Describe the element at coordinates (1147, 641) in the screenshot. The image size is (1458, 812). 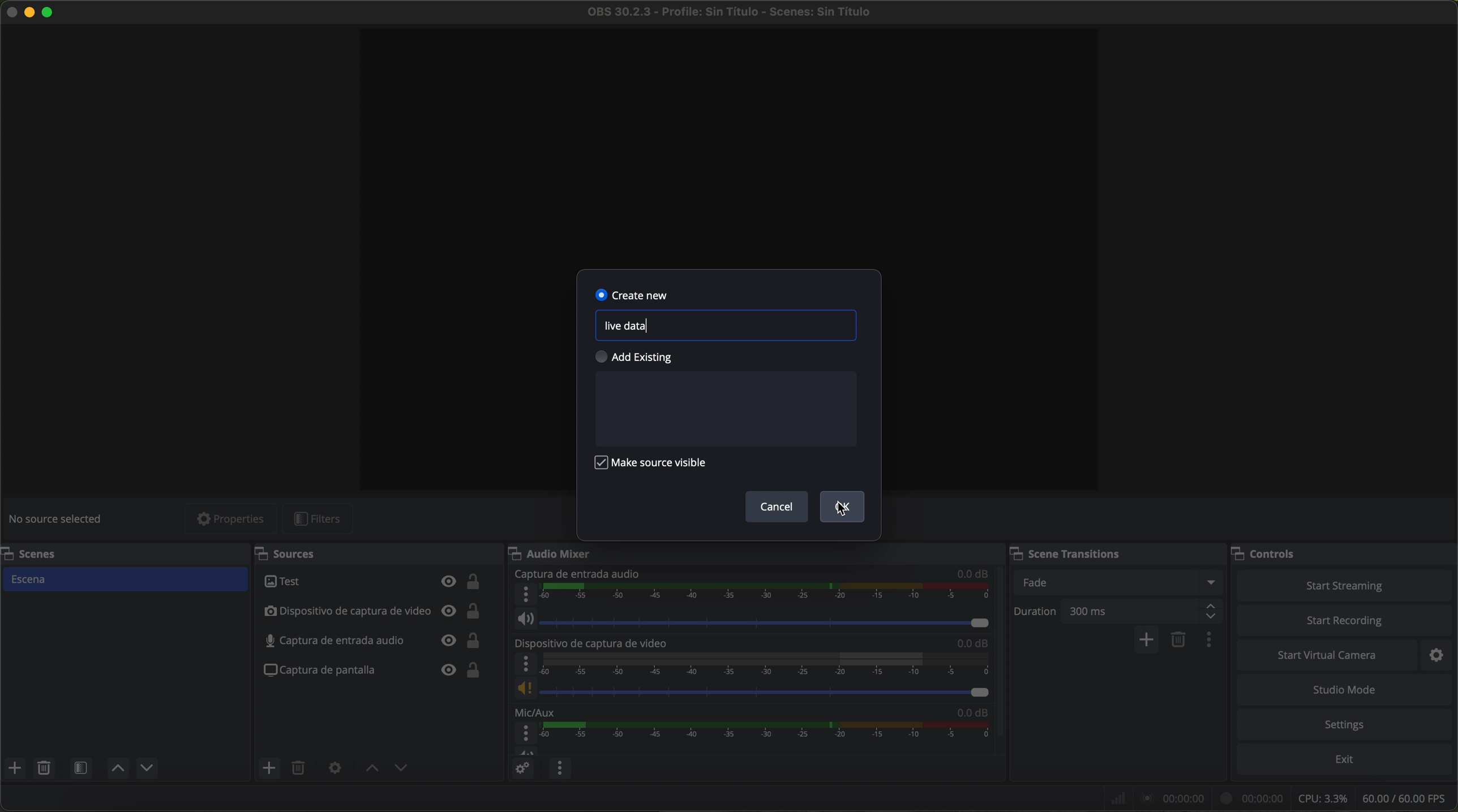
I see `add configurable transition` at that location.